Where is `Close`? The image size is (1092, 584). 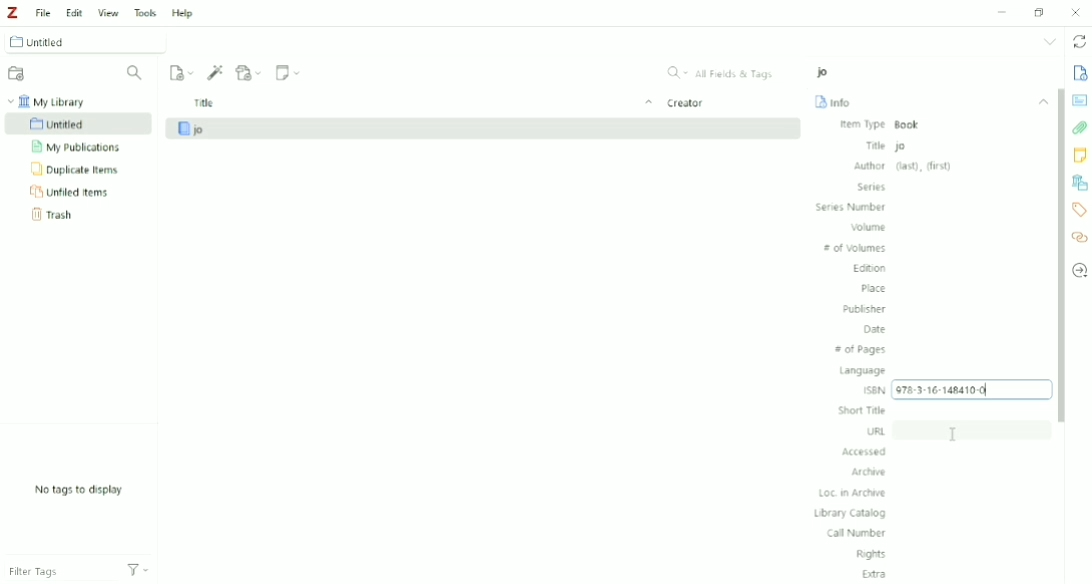
Close is located at coordinates (1074, 12).